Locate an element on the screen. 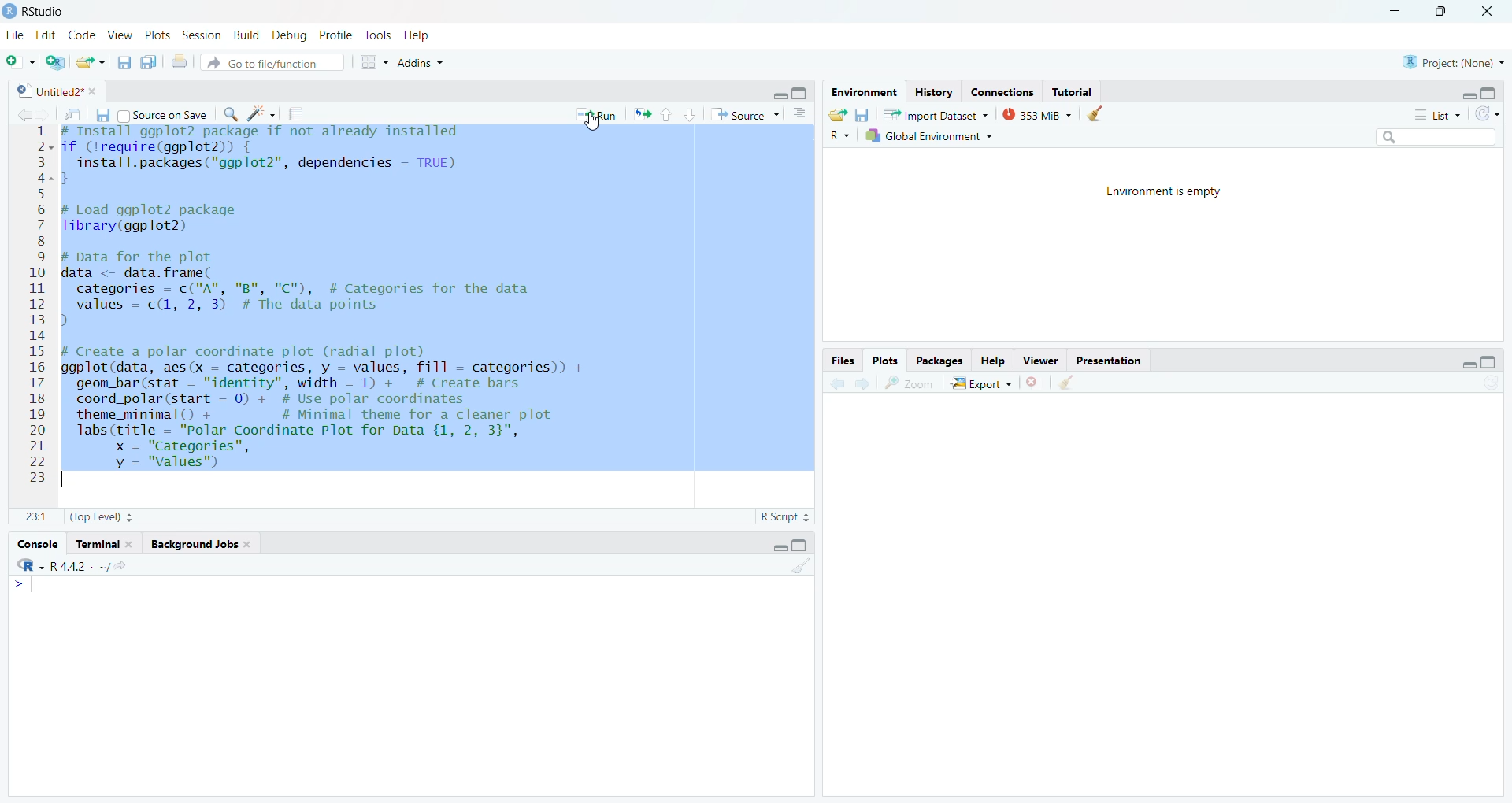 The height and width of the screenshot is (803, 1512).  353 MB ~ is located at coordinates (1036, 115).